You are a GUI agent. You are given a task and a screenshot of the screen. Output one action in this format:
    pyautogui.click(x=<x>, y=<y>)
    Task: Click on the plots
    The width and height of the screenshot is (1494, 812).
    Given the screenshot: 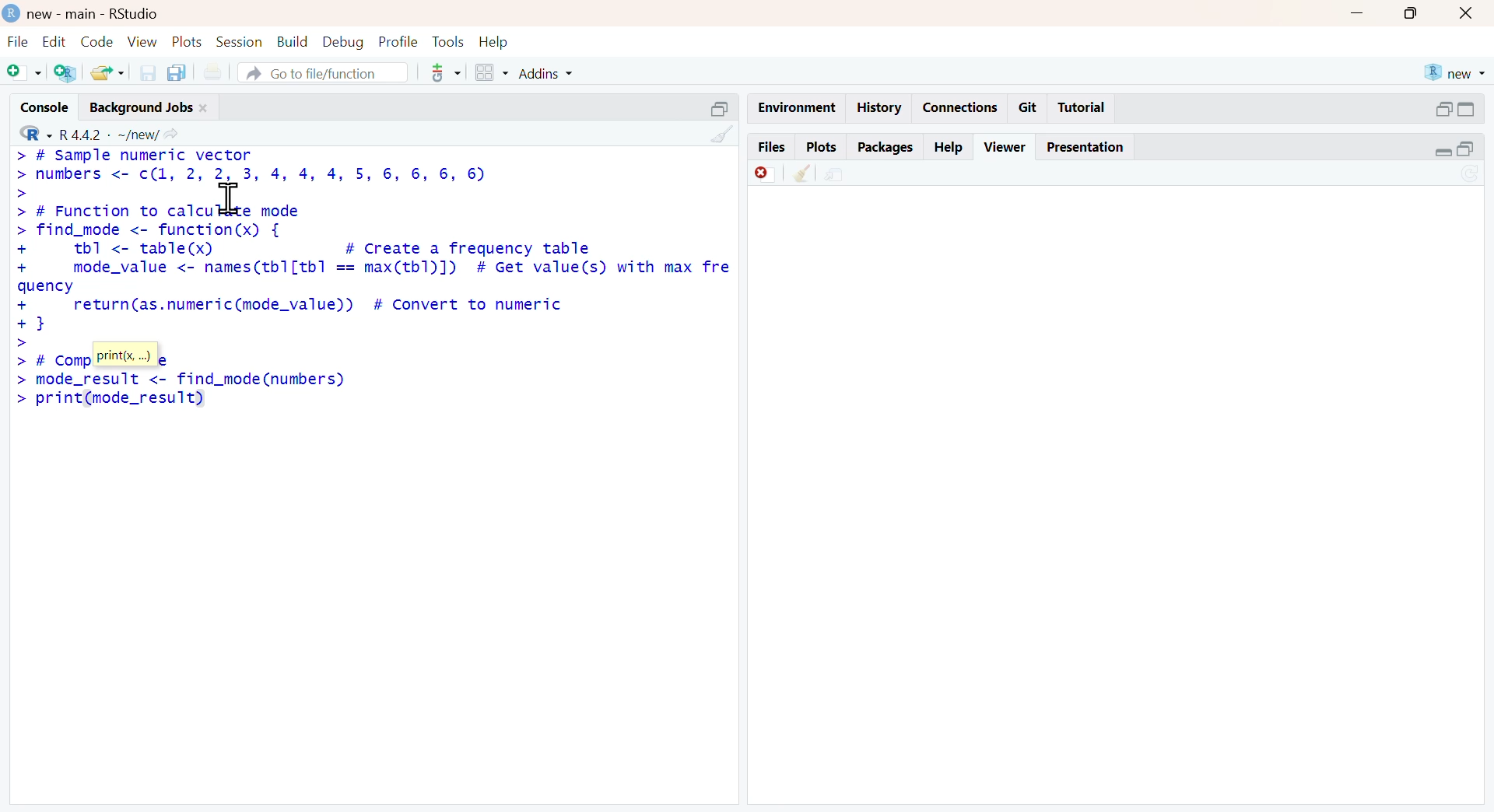 What is the action you would take?
    pyautogui.click(x=821, y=147)
    